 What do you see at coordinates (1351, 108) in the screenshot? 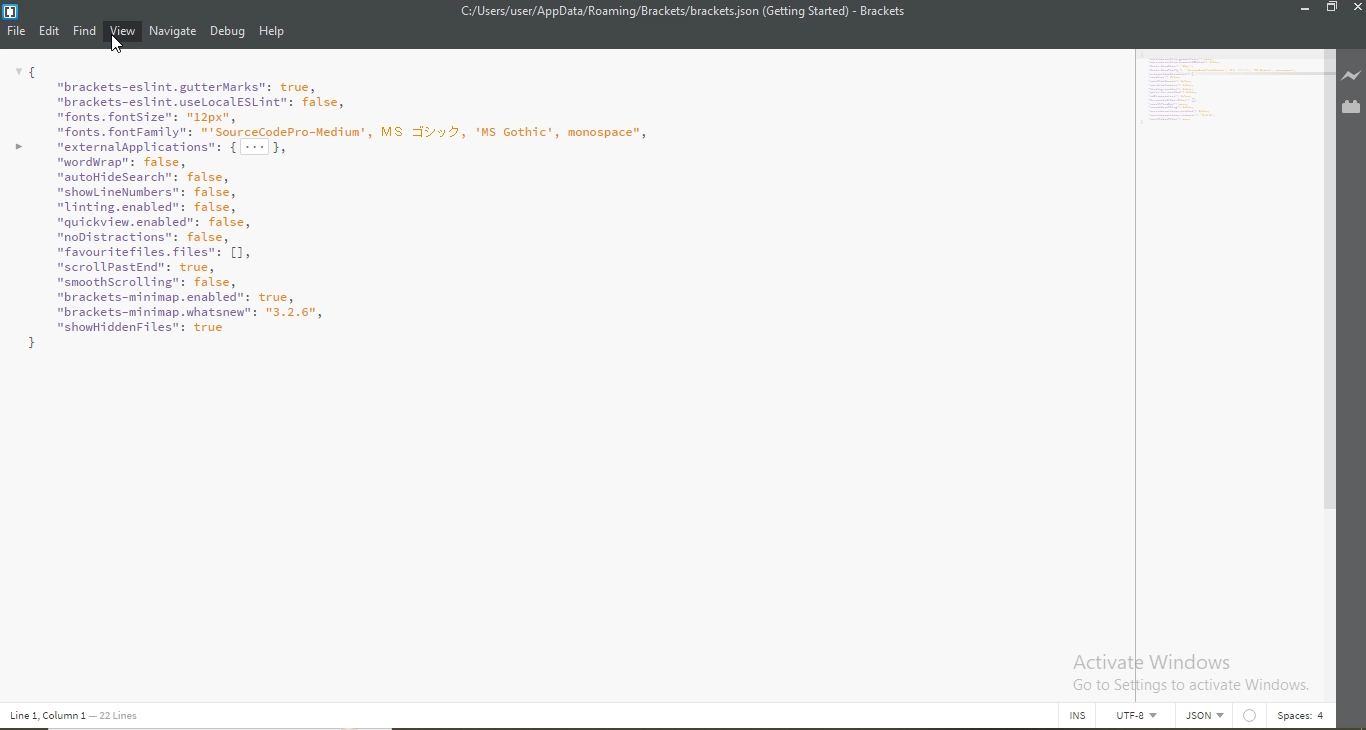
I see `Extension Manager` at bounding box center [1351, 108].